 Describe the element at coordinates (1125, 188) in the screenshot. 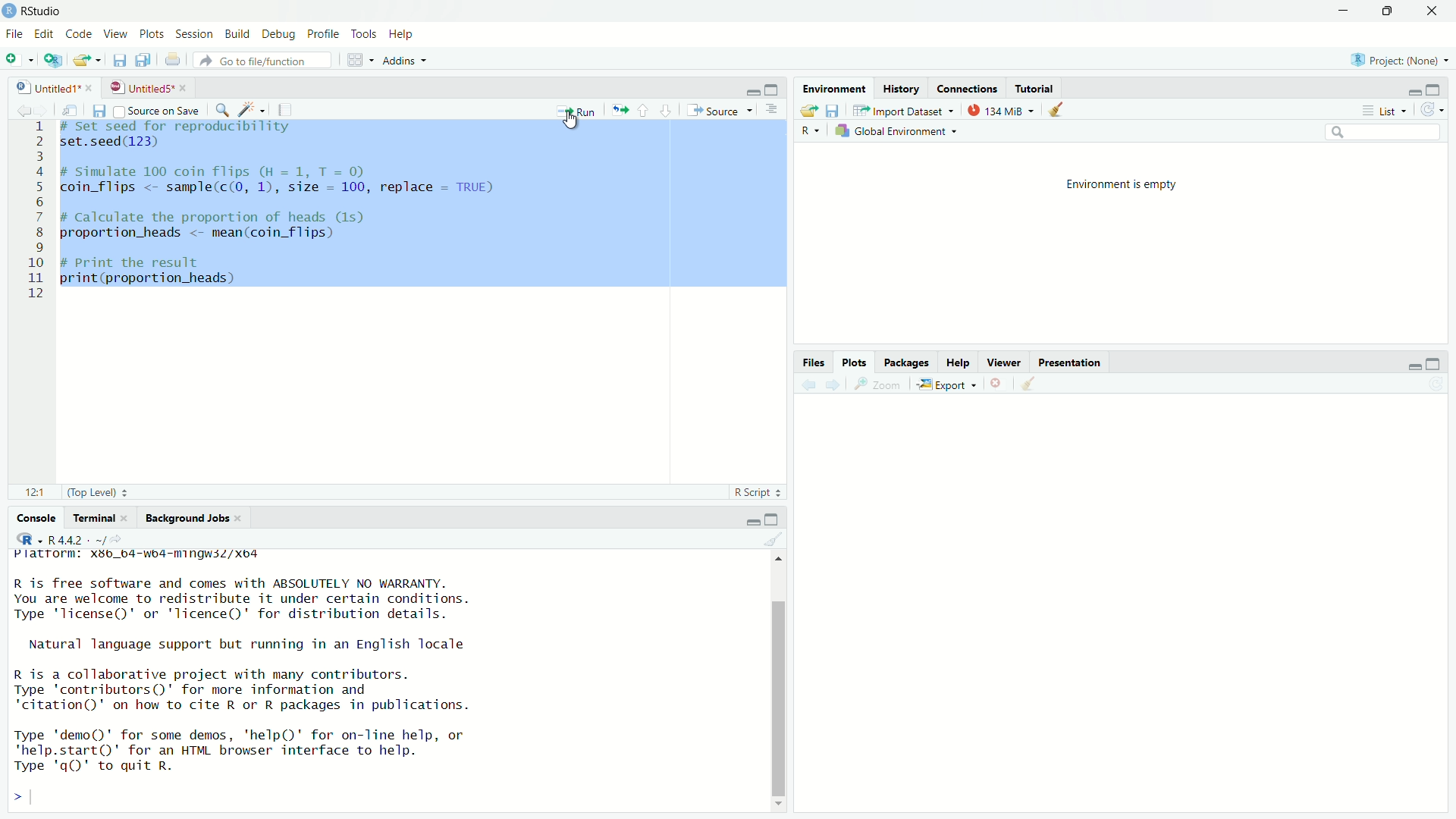

I see `environment is empty` at that location.